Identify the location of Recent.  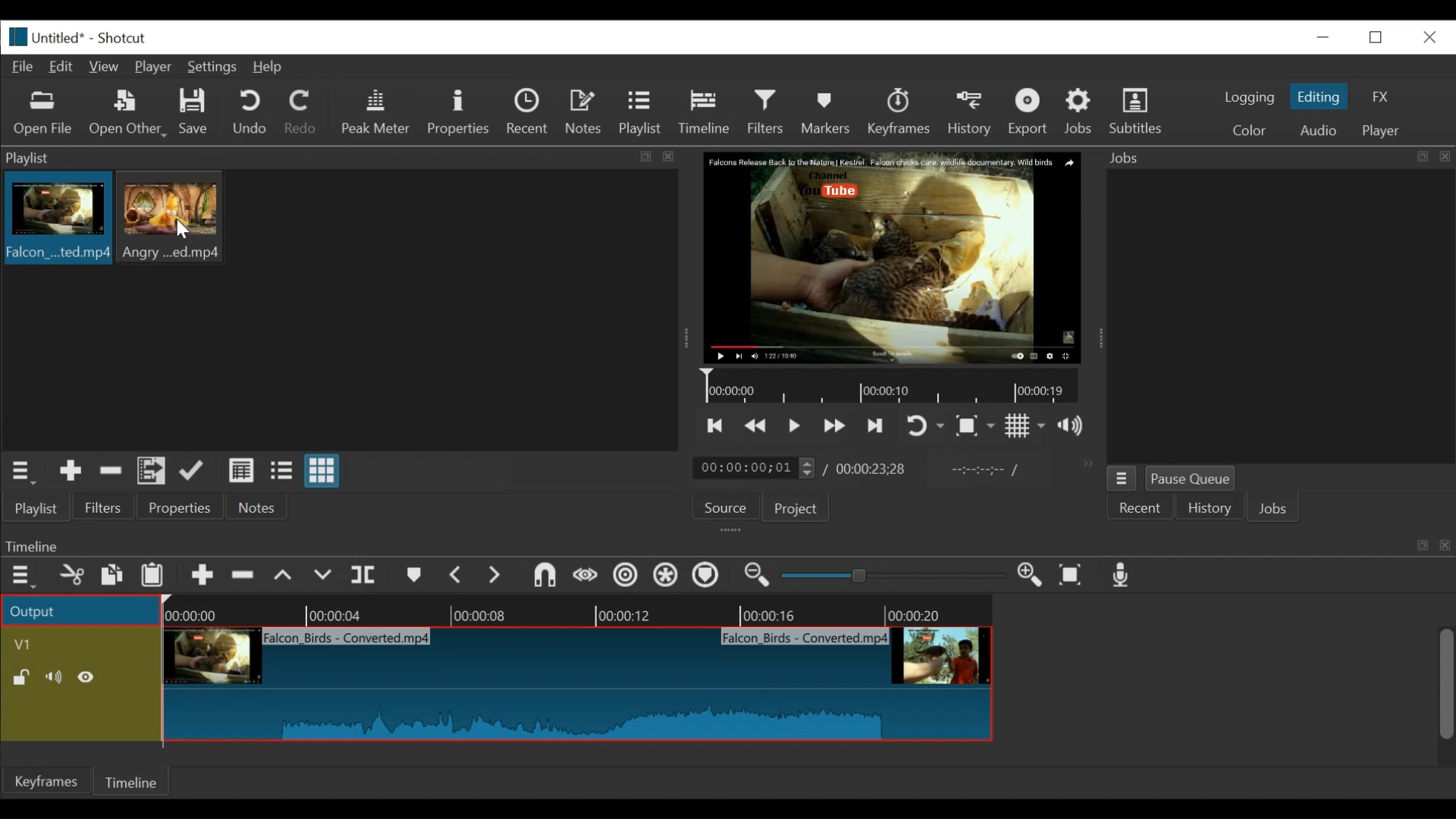
(1141, 509).